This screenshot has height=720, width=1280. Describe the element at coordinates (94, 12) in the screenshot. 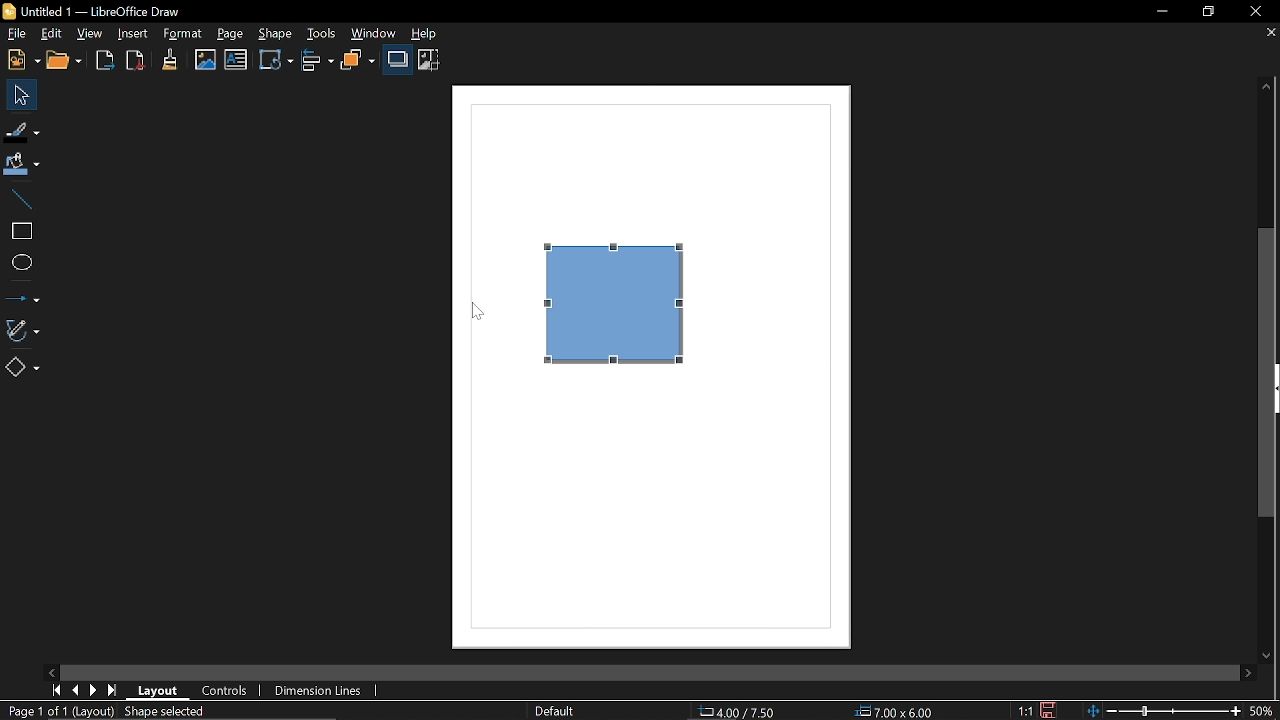

I see `Current window` at that location.